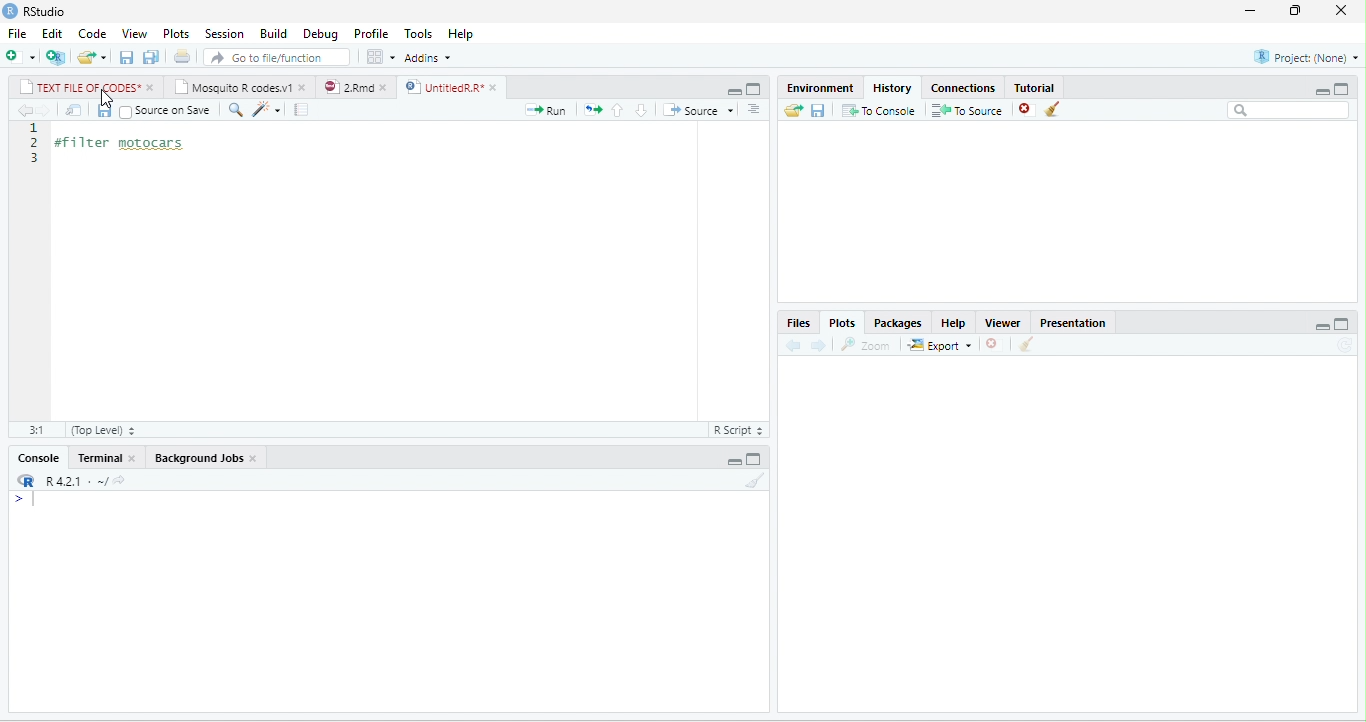  I want to click on Presentation, so click(1072, 323).